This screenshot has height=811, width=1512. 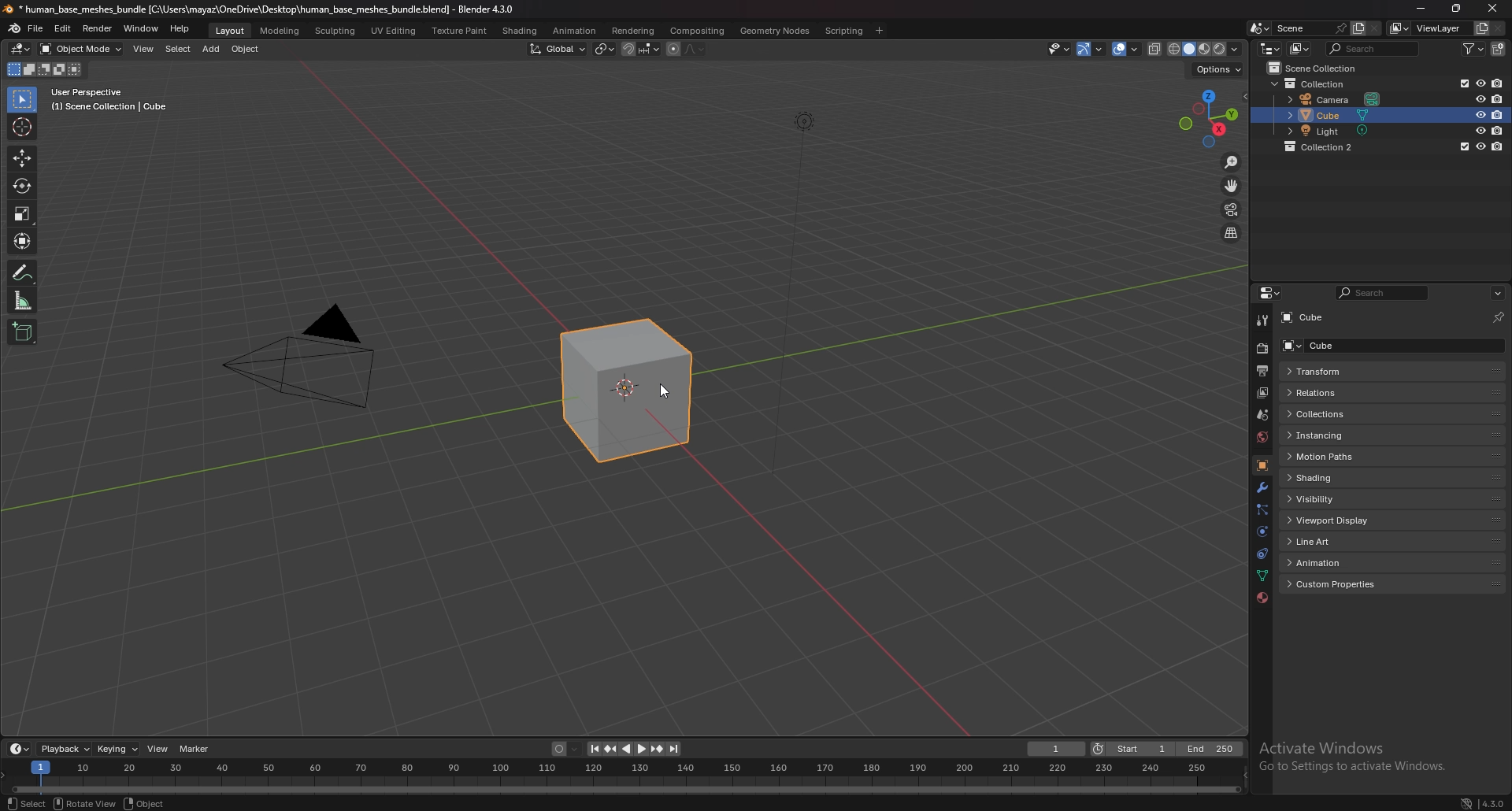 I want to click on cursor, so click(x=663, y=389).